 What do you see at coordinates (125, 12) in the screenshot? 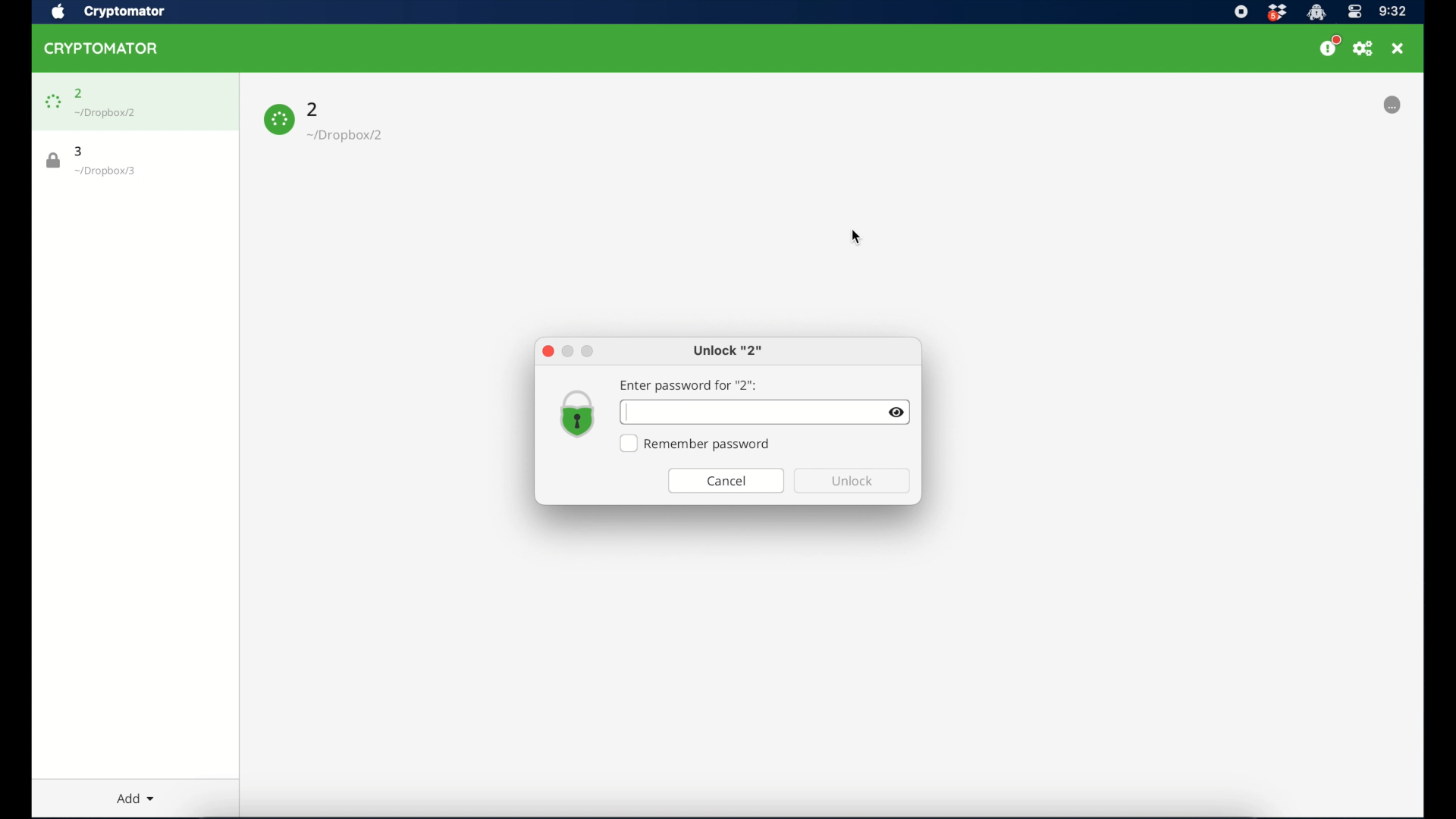
I see `cryptomator` at bounding box center [125, 12].